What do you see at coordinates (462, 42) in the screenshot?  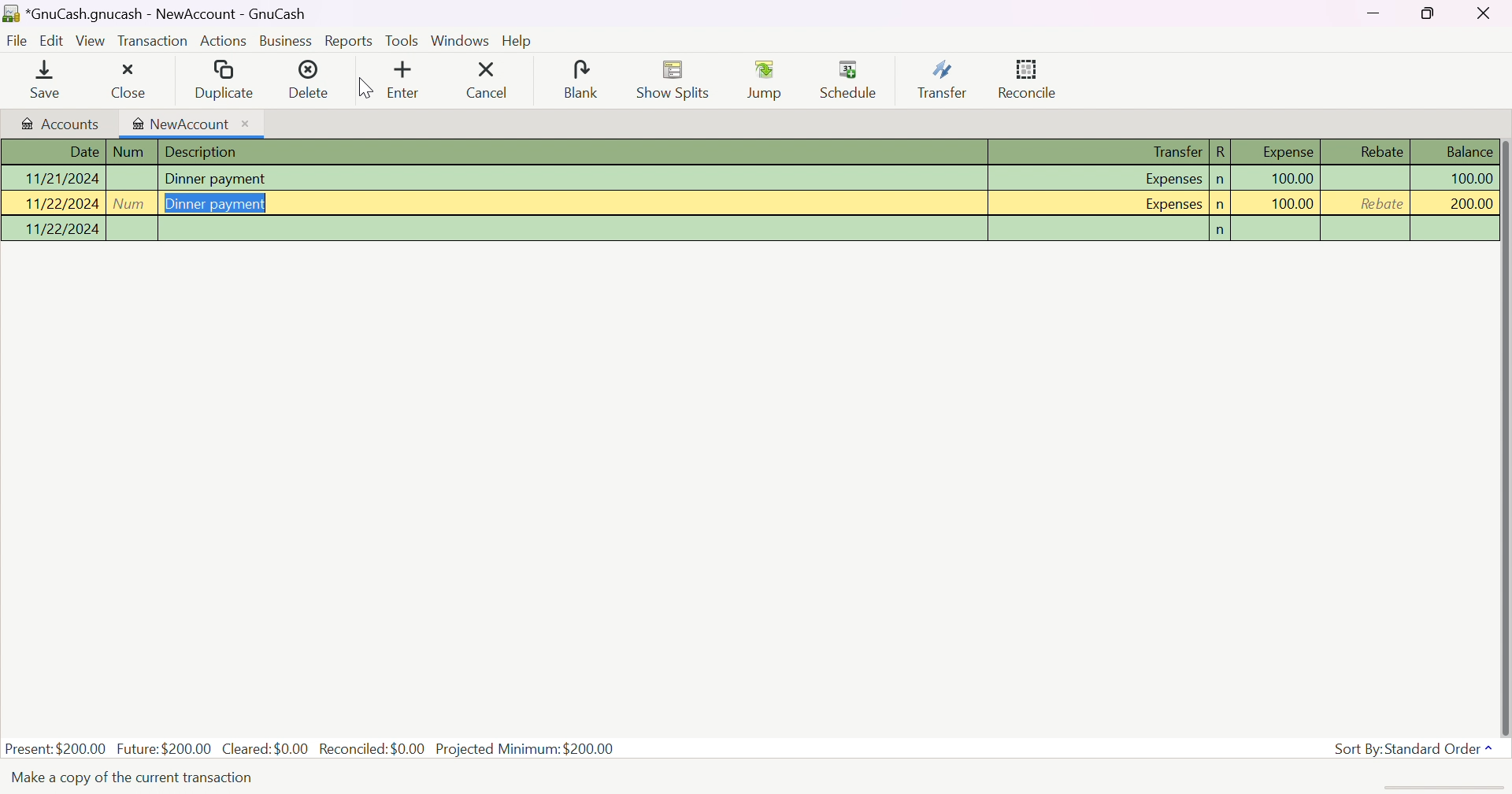 I see `Windows` at bounding box center [462, 42].